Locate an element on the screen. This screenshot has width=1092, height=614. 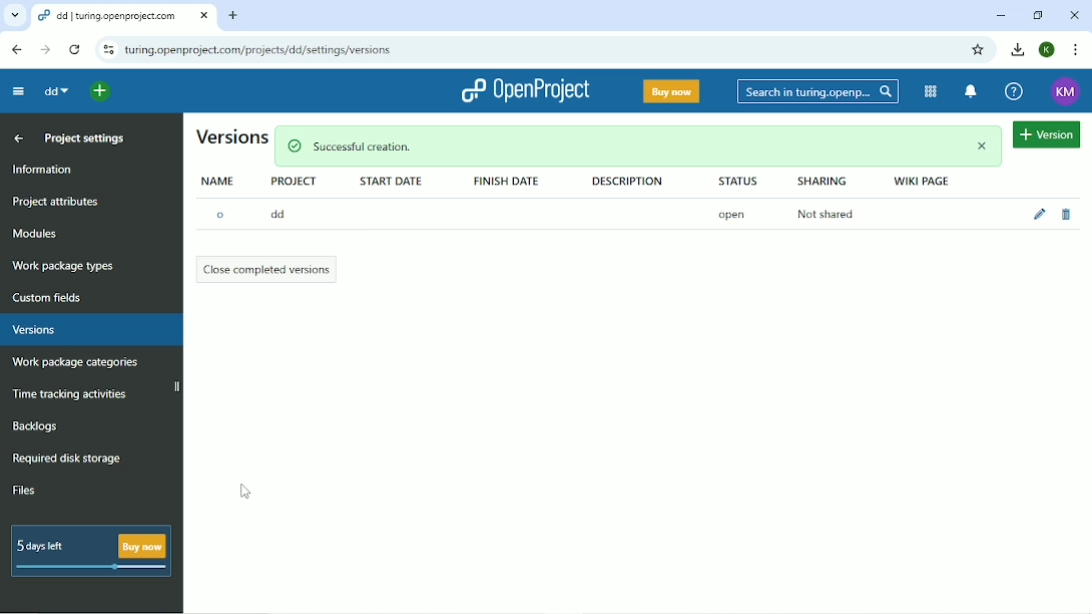
Start date is located at coordinates (390, 182).